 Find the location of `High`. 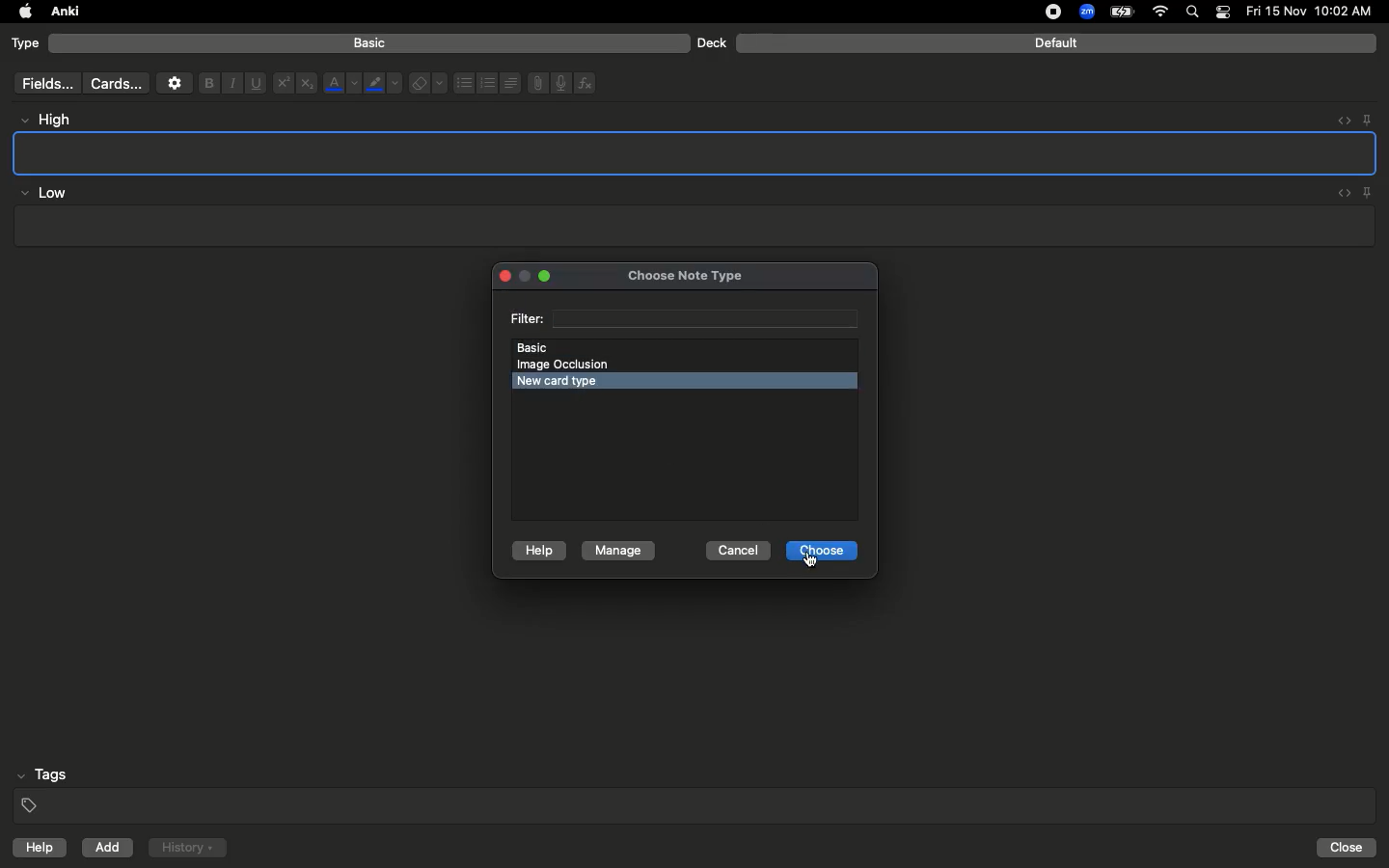

High is located at coordinates (54, 120).